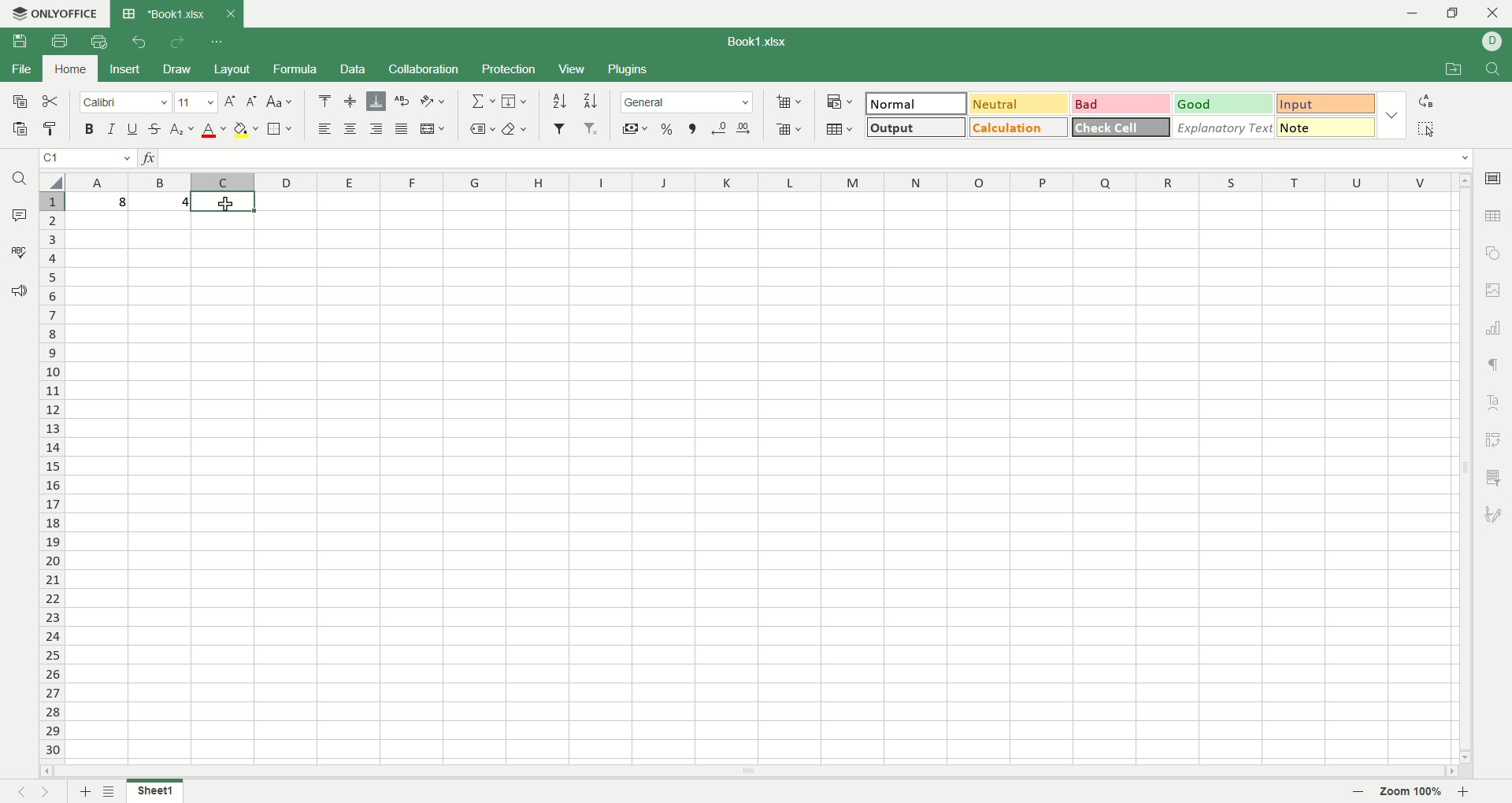 The image size is (1512, 803). Describe the element at coordinates (687, 102) in the screenshot. I see `number format` at that location.